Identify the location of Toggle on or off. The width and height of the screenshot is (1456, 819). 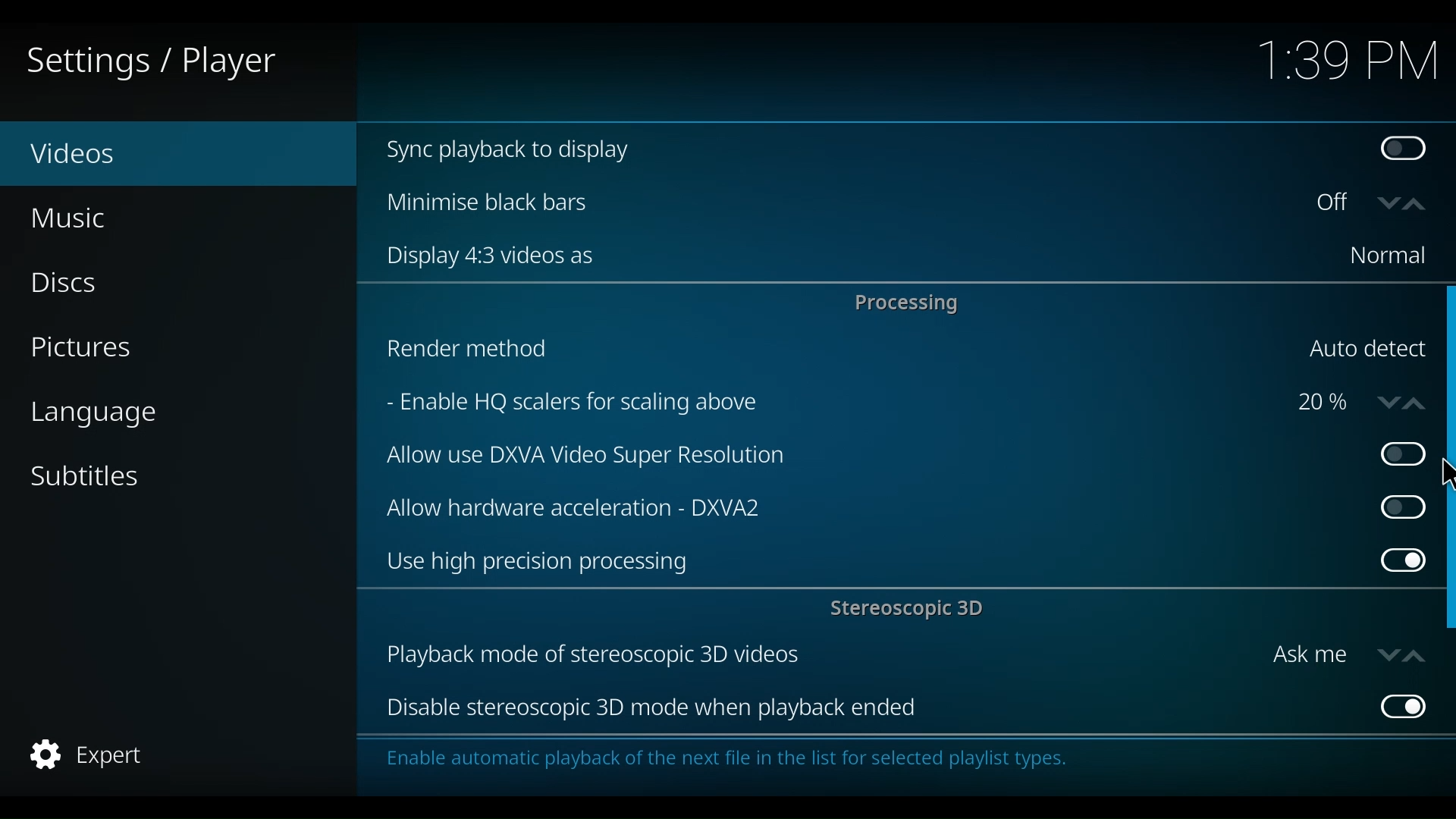
(1337, 204).